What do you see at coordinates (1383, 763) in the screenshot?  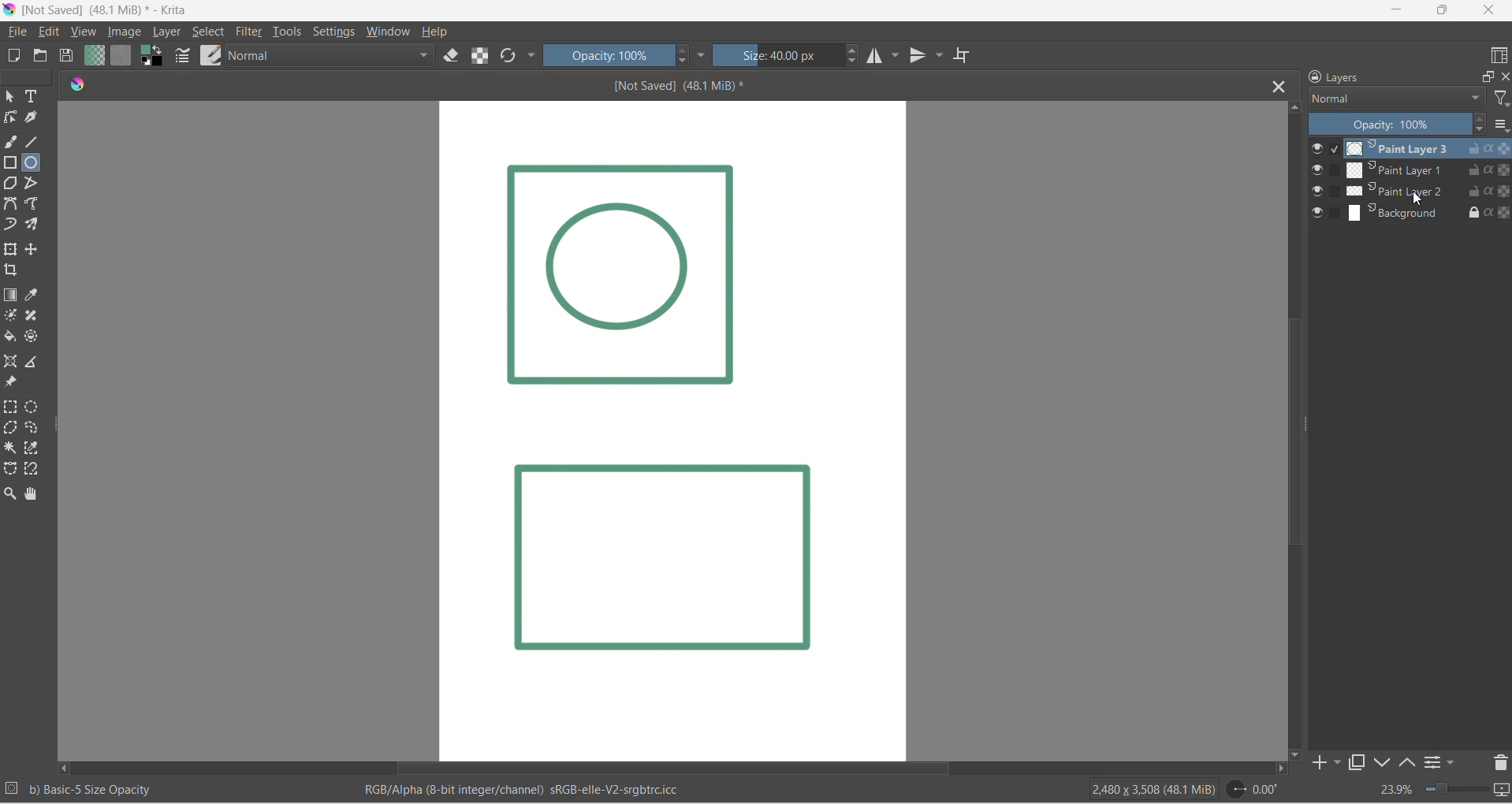 I see `down` at bounding box center [1383, 763].